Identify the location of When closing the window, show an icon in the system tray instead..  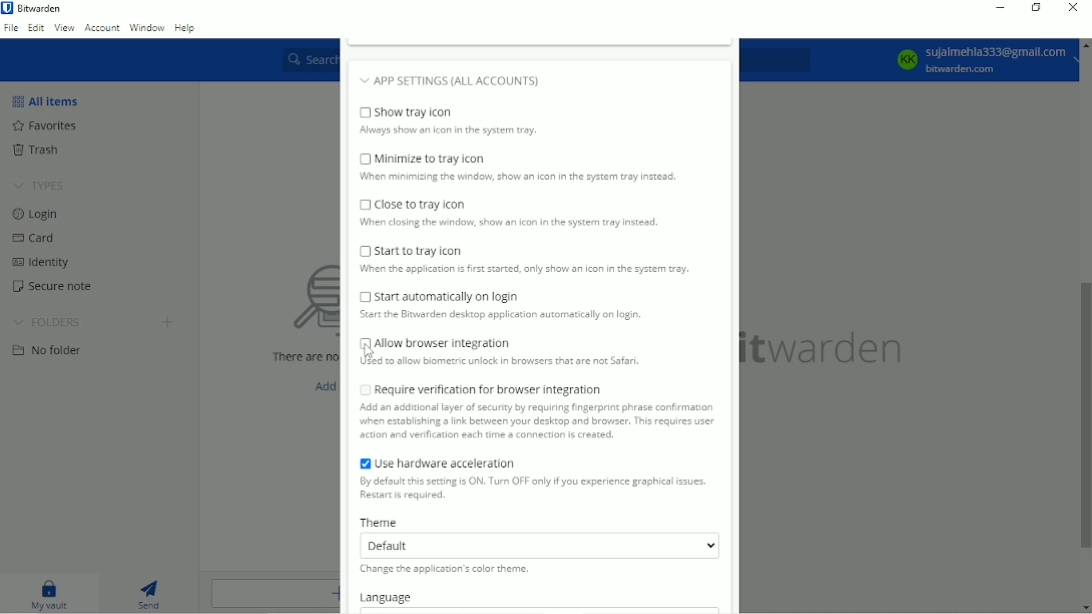
(508, 225).